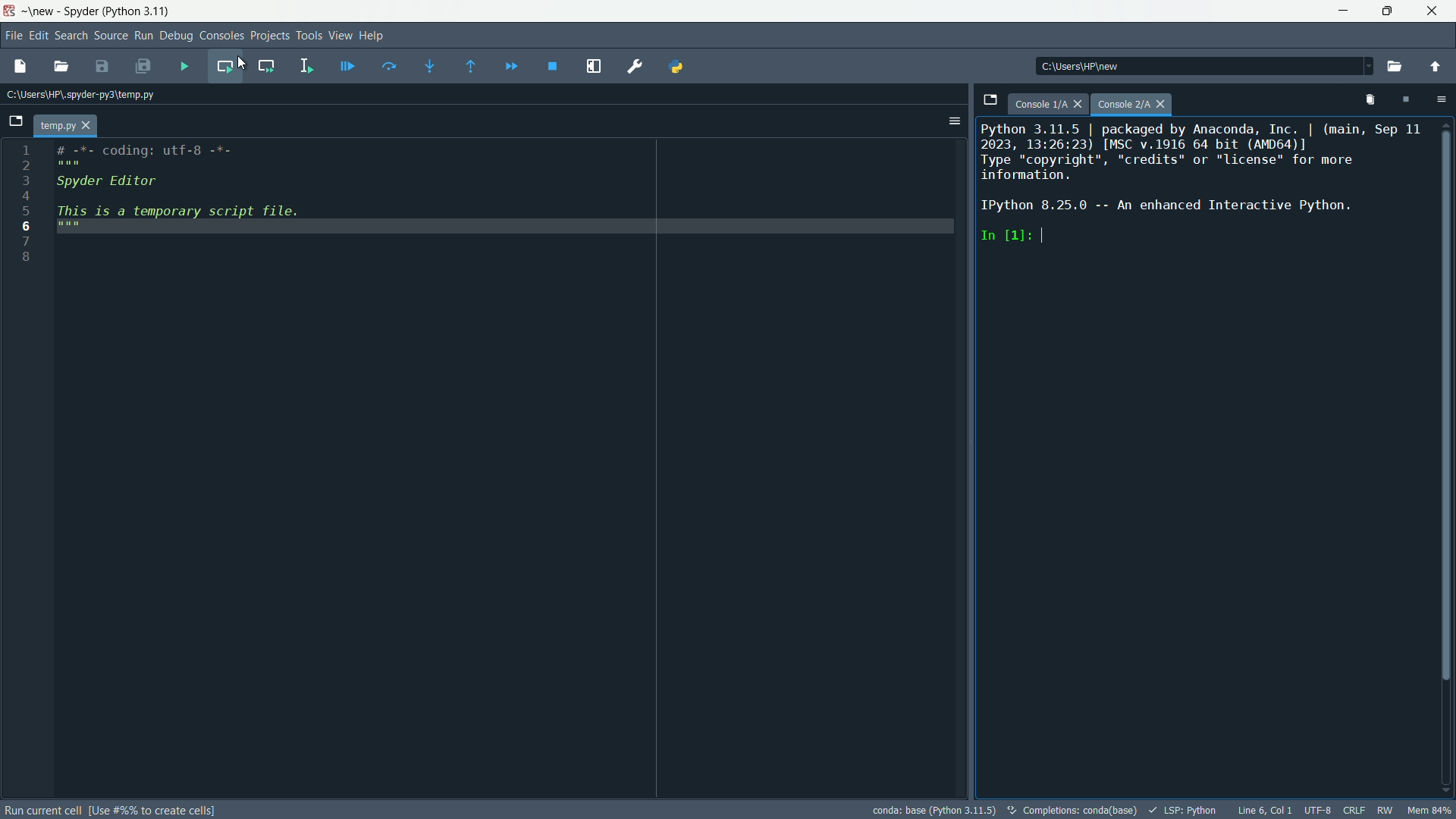  What do you see at coordinates (1263, 810) in the screenshot?
I see `Line 6, Col 1` at bounding box center [1263, 810].